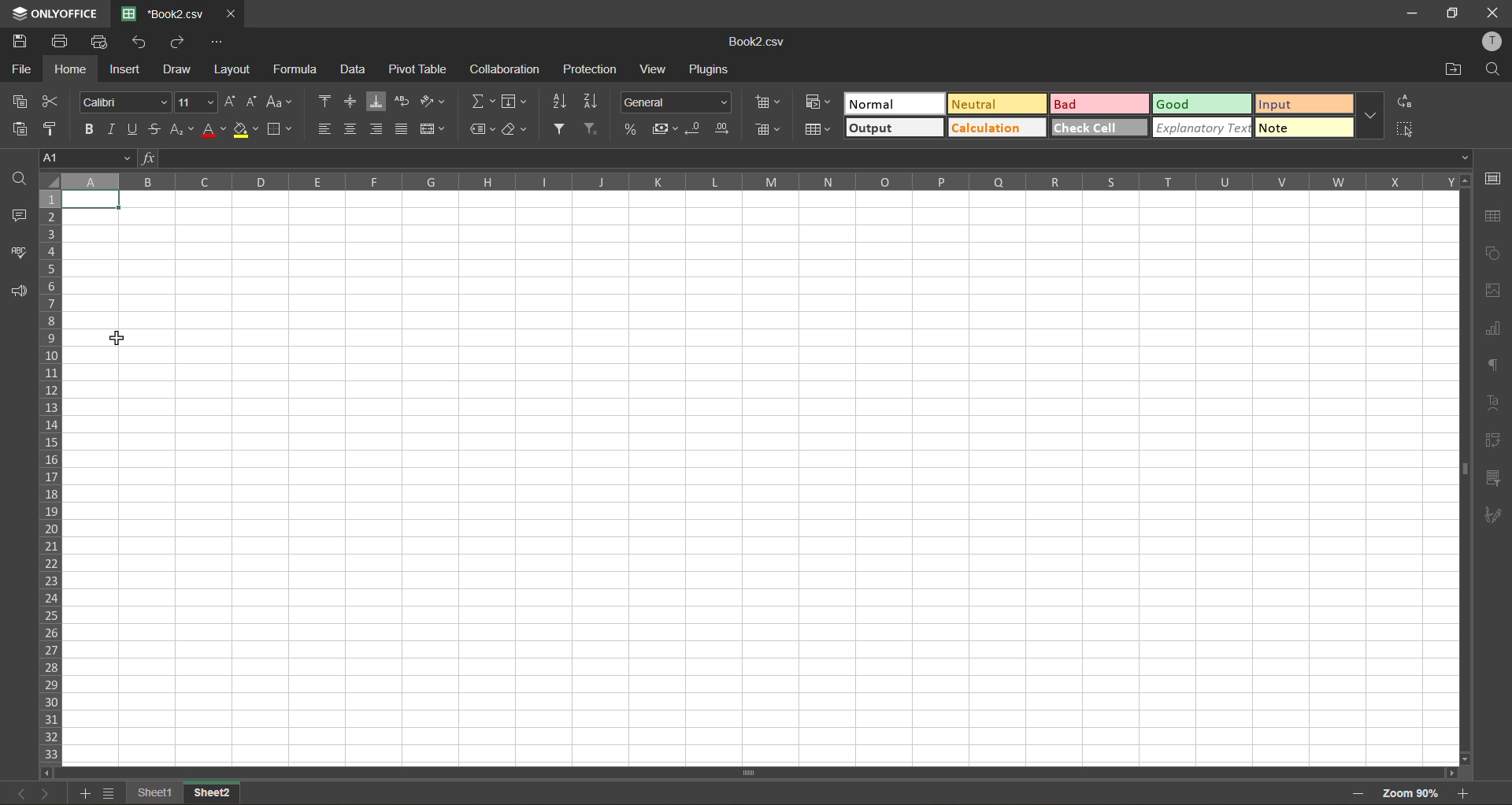  What do you see at coordinates (57, 101) in the screenshot?
I see `cut` at bounding box center [57, 101].